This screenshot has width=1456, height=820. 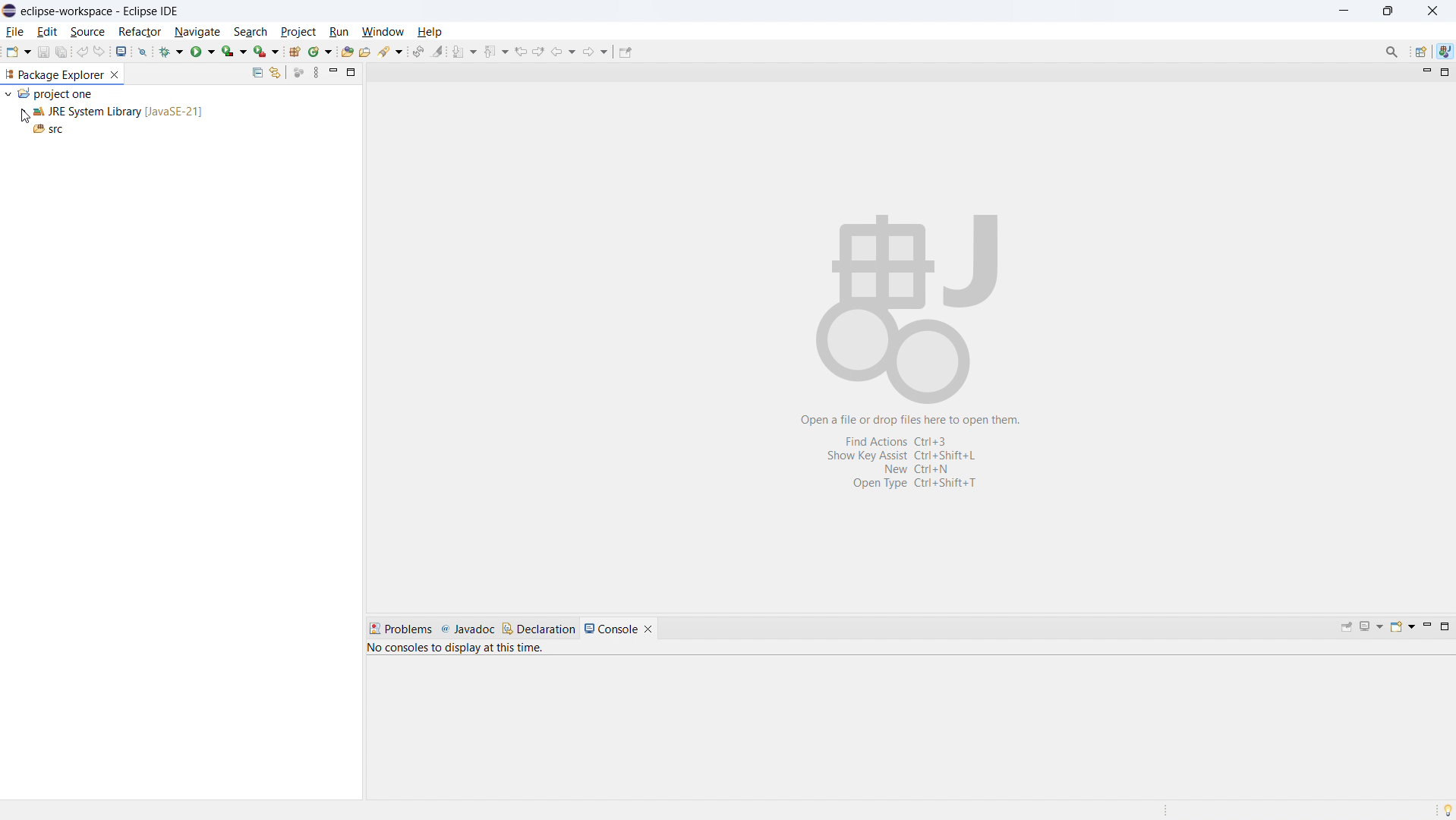 I want to click on minimize, so click(x=1426, y=628).